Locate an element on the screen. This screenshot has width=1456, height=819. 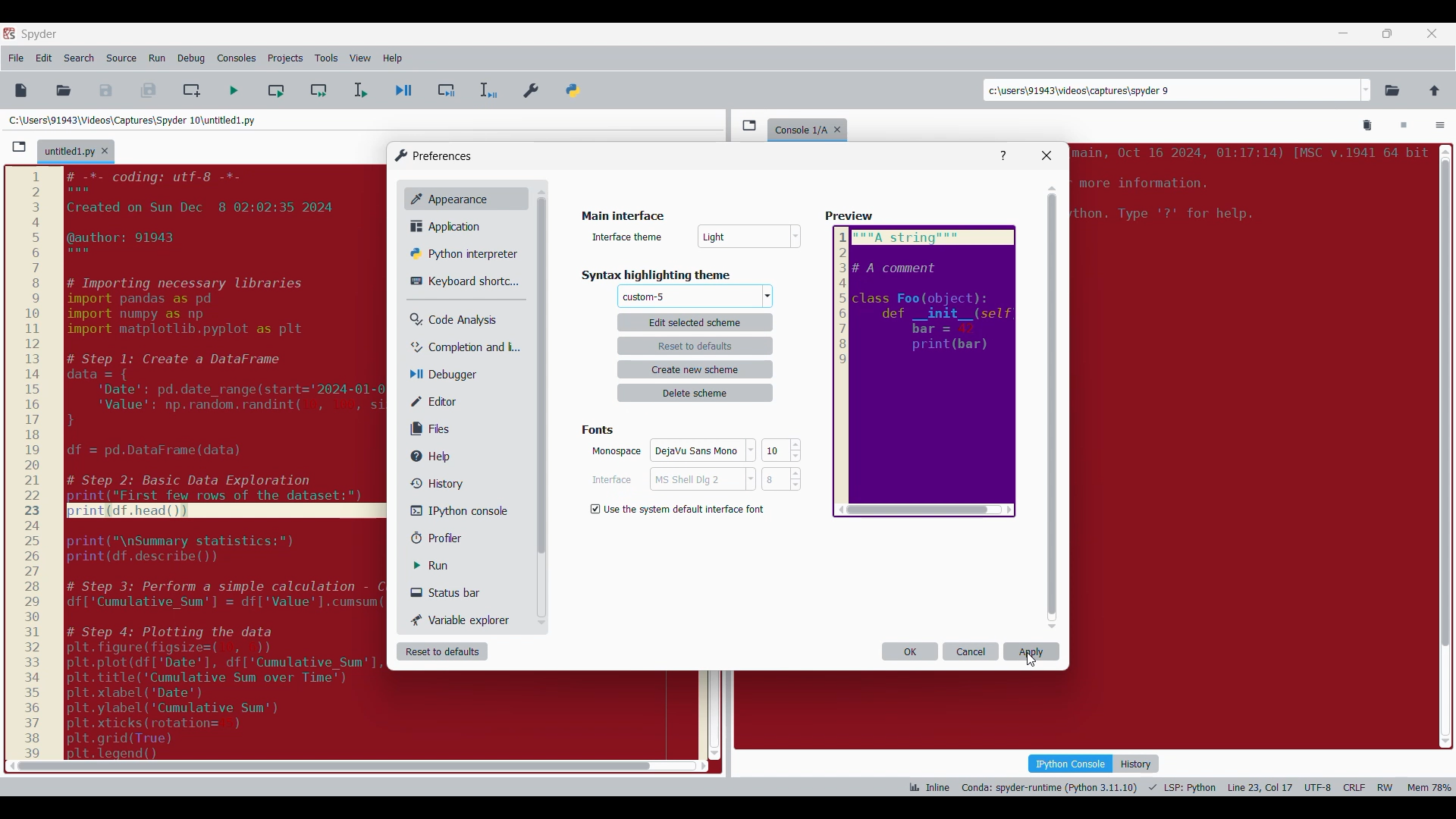
Interrupt kernel is located at coordinates (1404, 126).